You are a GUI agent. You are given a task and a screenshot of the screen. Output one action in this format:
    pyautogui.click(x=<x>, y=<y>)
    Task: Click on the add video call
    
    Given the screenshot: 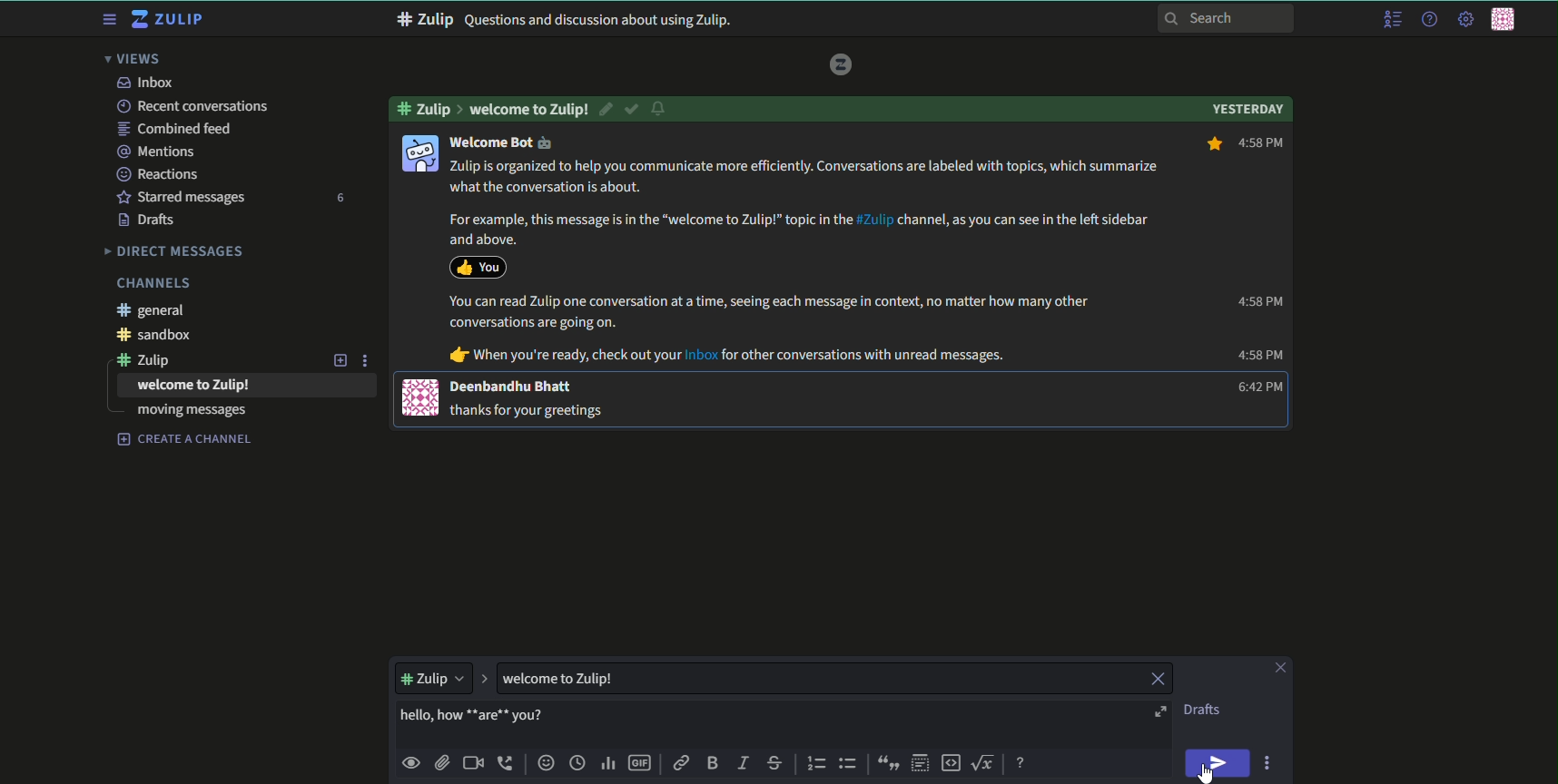 What is the action you would take?
    pyautogui.click(x=473, y=763)
    